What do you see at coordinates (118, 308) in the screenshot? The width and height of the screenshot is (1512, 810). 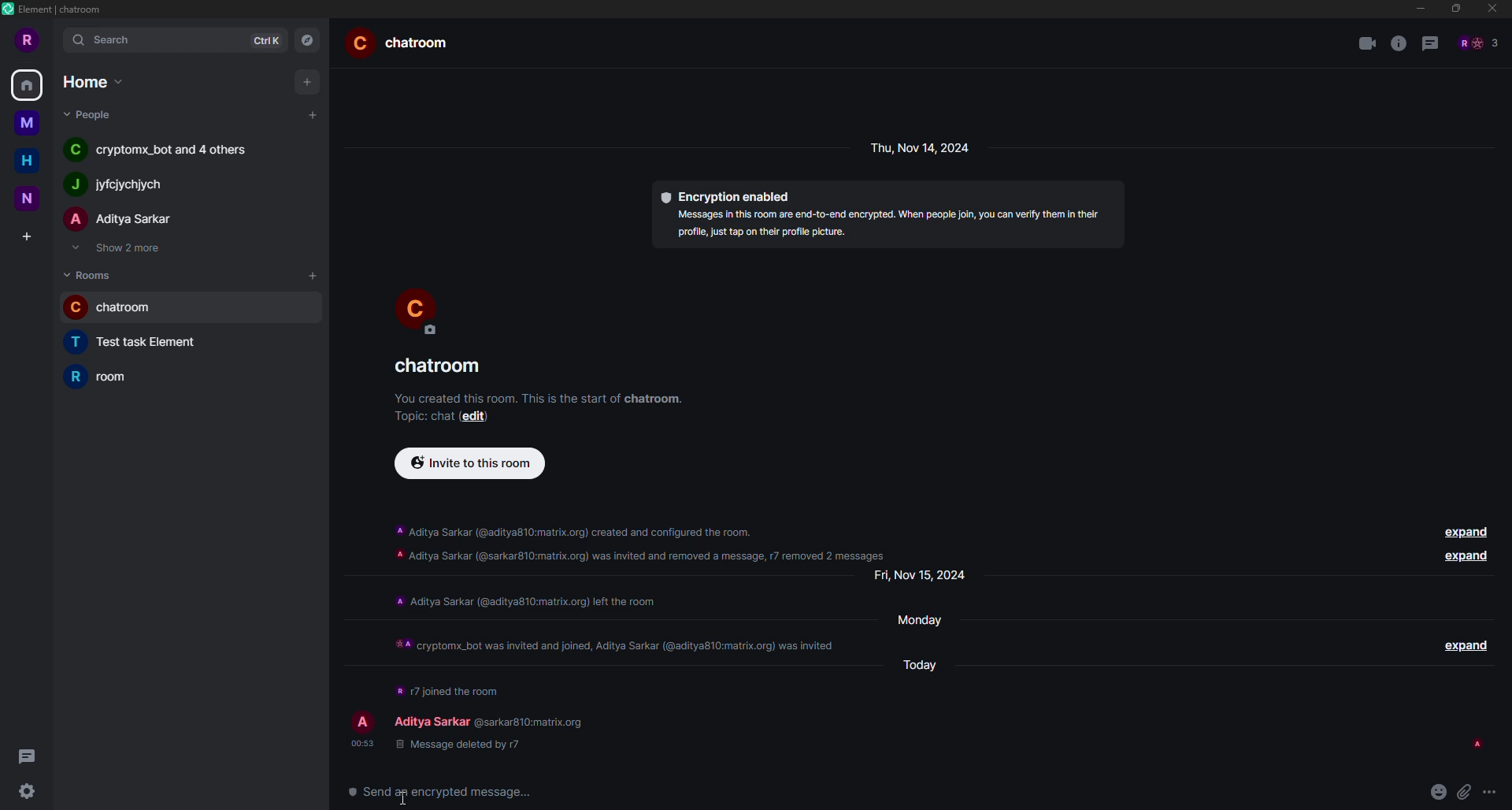 I see `room` at bounding box center [118, 308].